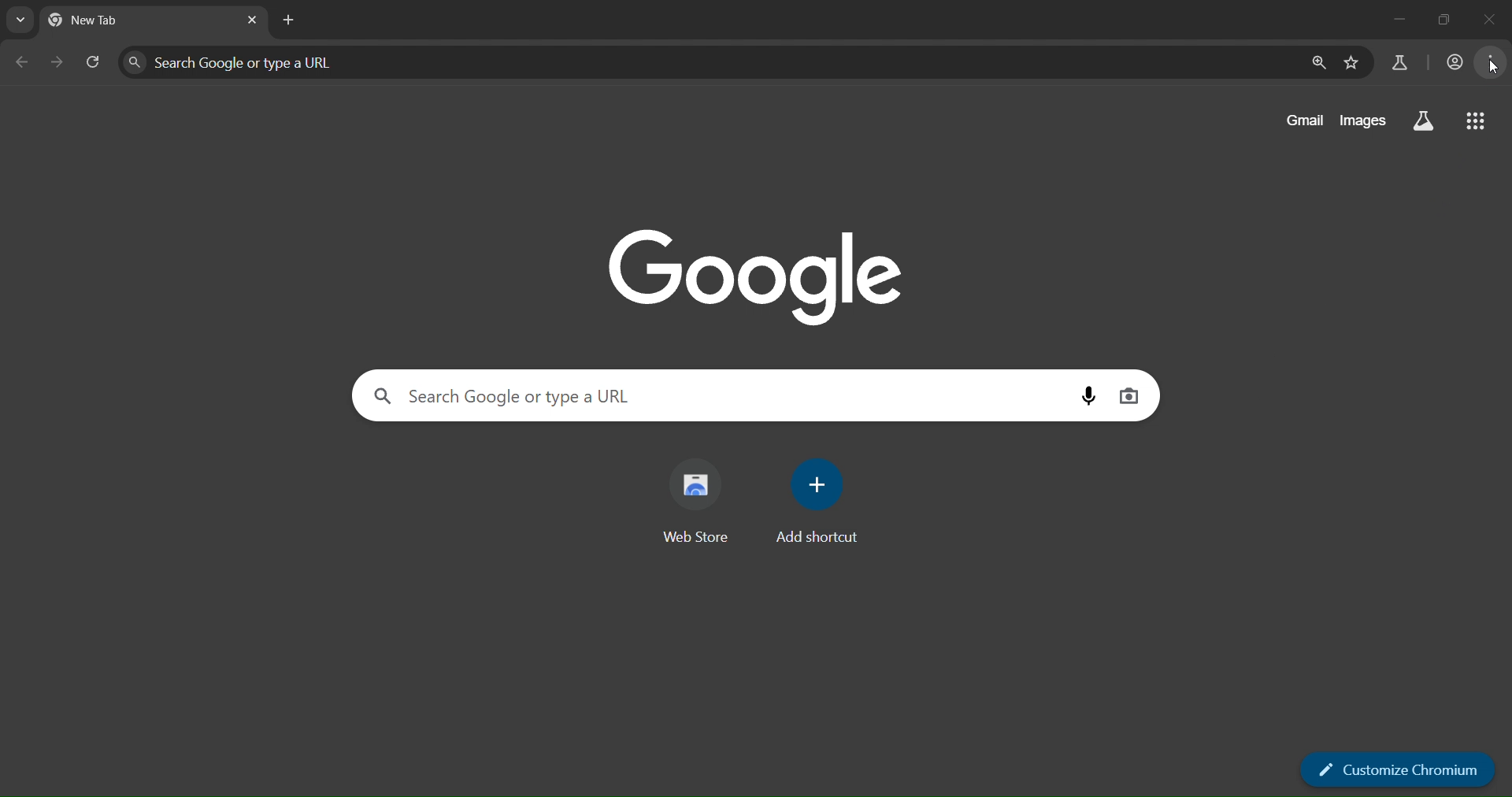 This screenshot has height=797, width=1512. What do you see at coordinates (1493, 68) in the screenshot?
I see `cursor` at bounding box center [1493, 68].